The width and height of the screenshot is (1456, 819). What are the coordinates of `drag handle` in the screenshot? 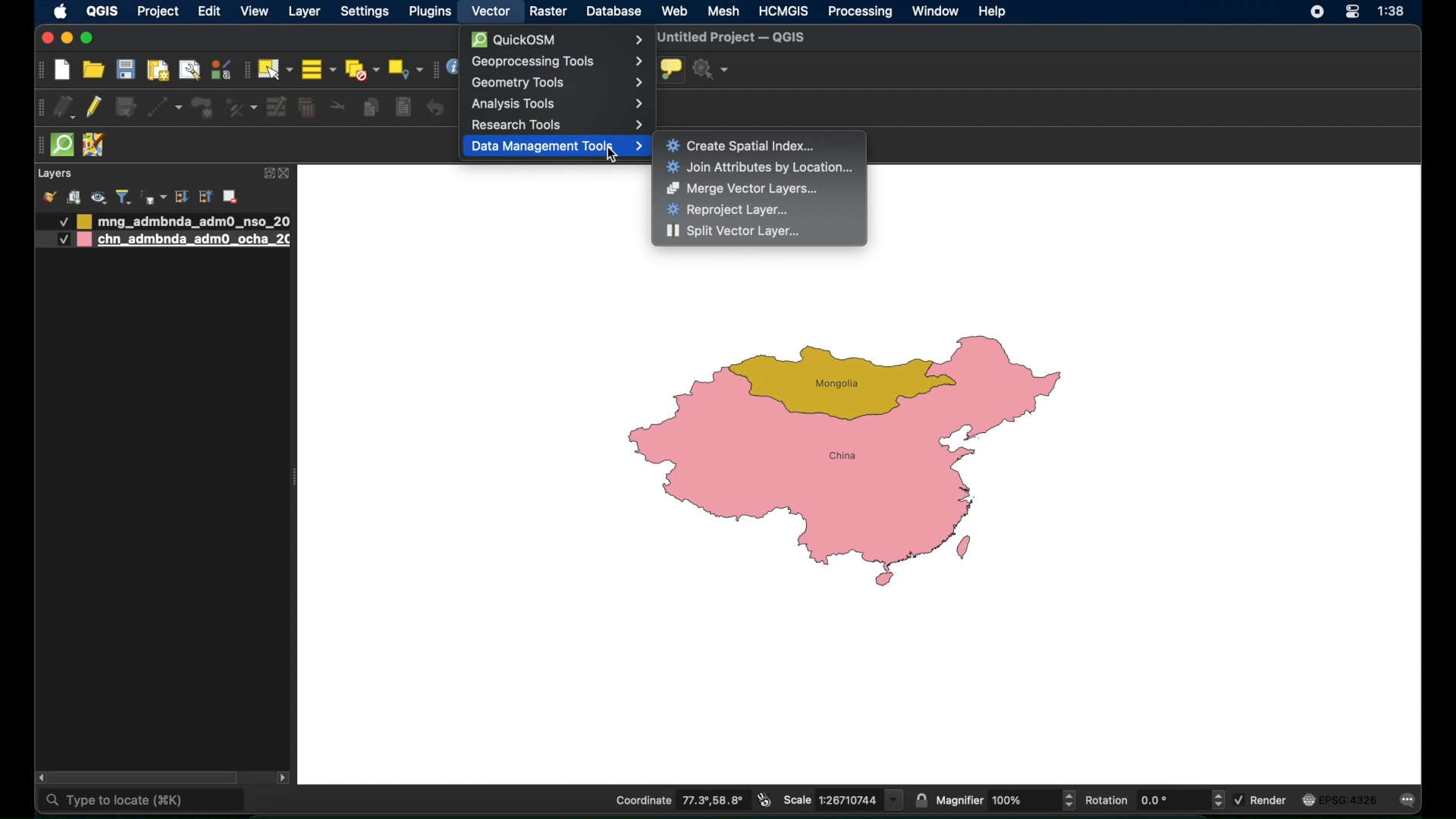 It's located at (39, 144).